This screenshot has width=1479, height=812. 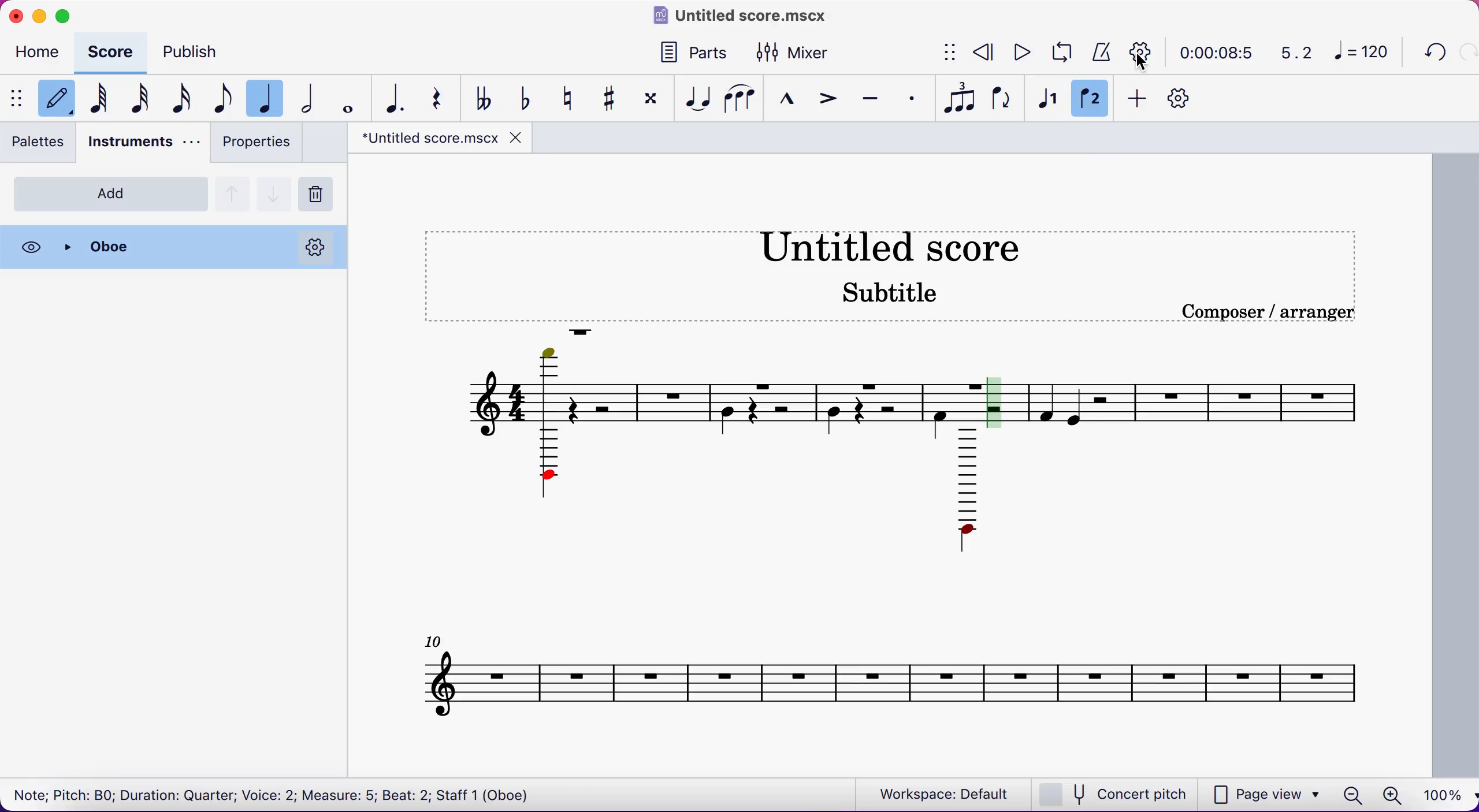 I want to click on minimize, so click(x=40, y=14).